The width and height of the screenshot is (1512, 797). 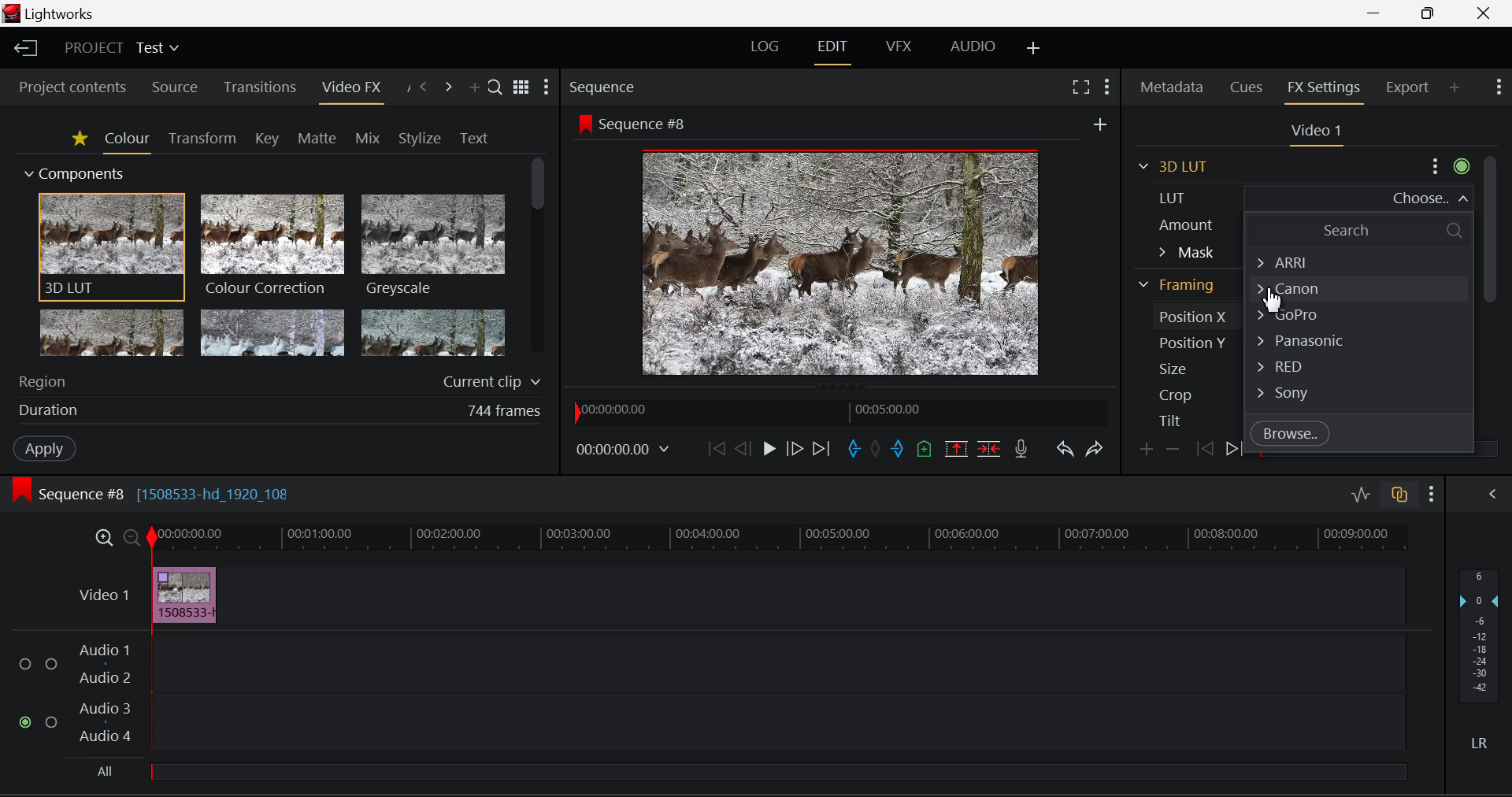 I want to click on ARRI, so click(x=1304, y=261).